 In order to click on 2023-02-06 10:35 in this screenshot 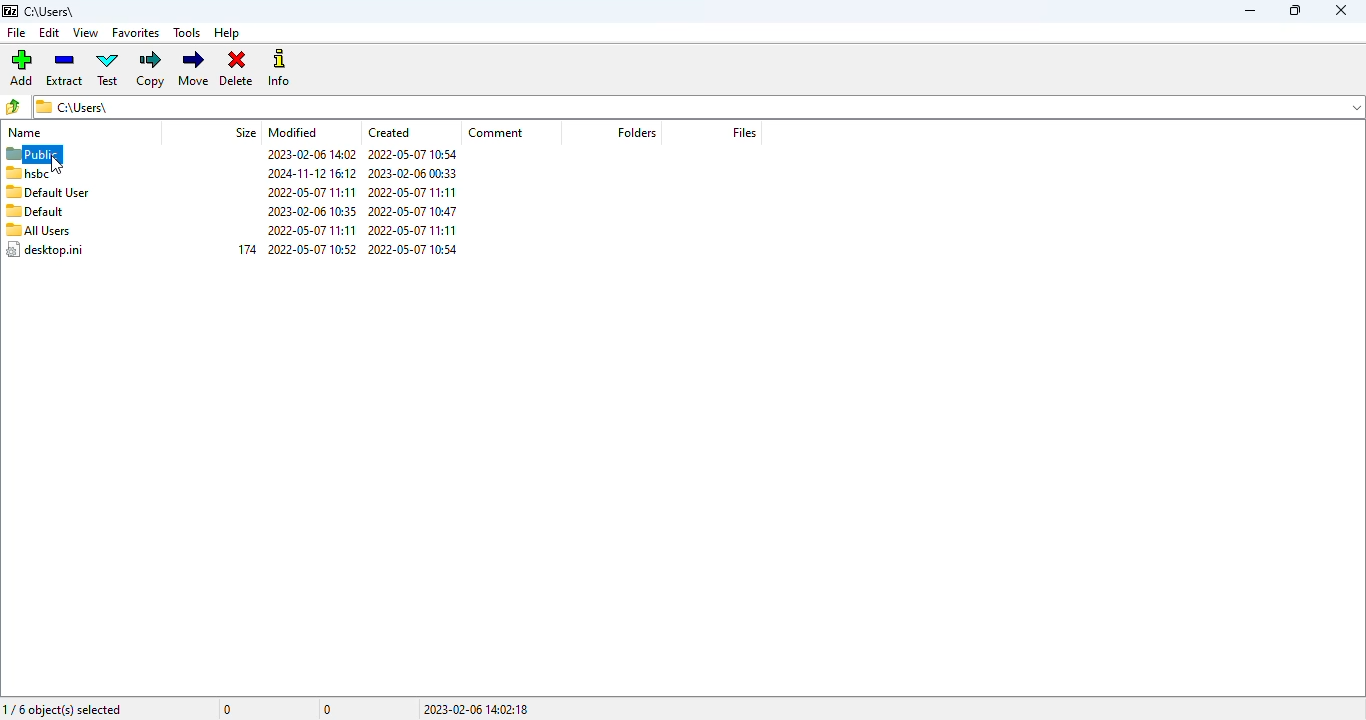, I will do `click(306, 212)`.